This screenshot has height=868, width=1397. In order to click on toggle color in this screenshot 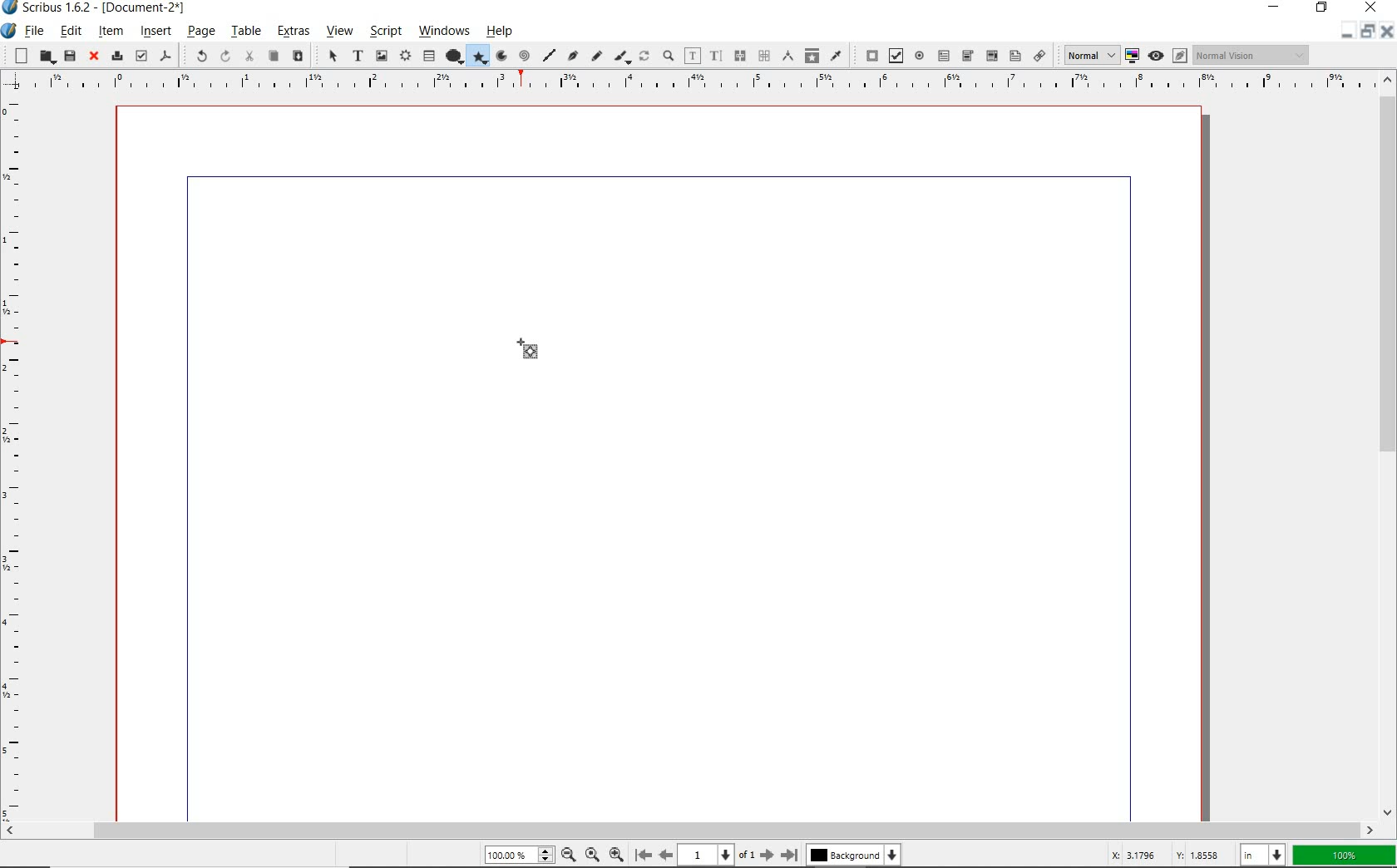, I will do `click(1133, 55)`.